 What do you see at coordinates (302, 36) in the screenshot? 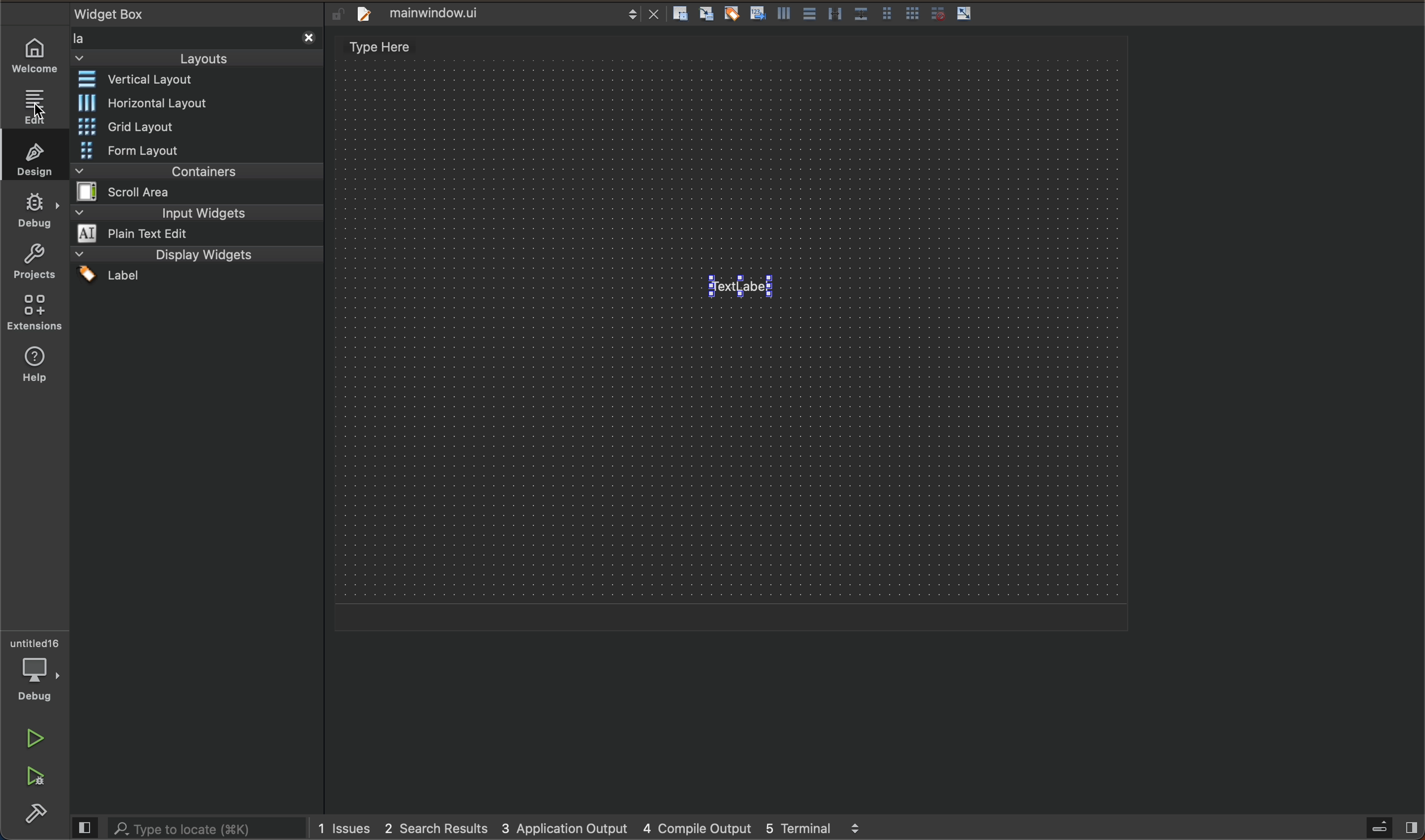
I see `Clear search` at bounding box center [302, 36].